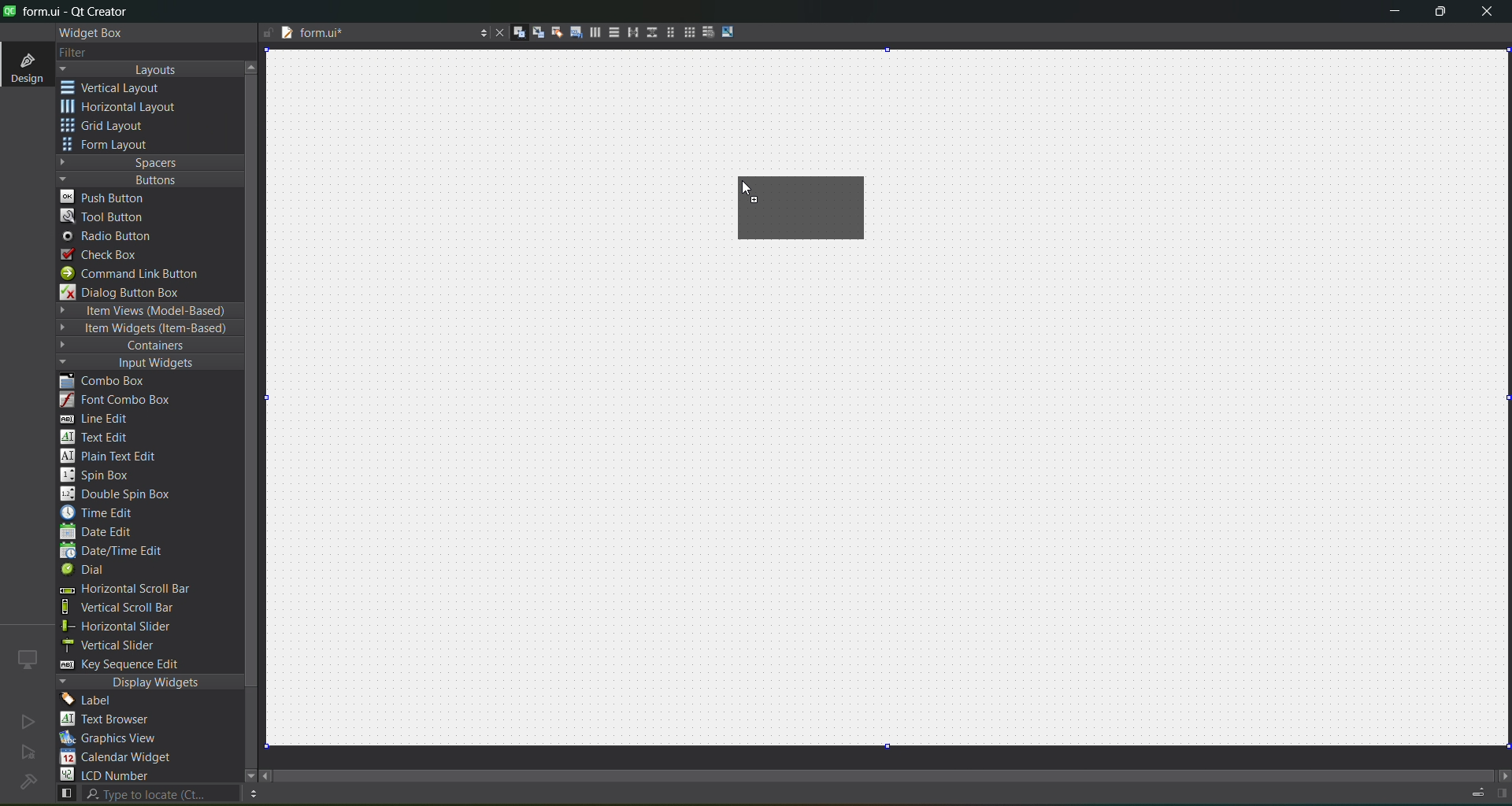 This screenshot has height=806, width=1512. Describe the element at coordinates (610, 31) in the screenshot. I see `layout vertically` at that location.